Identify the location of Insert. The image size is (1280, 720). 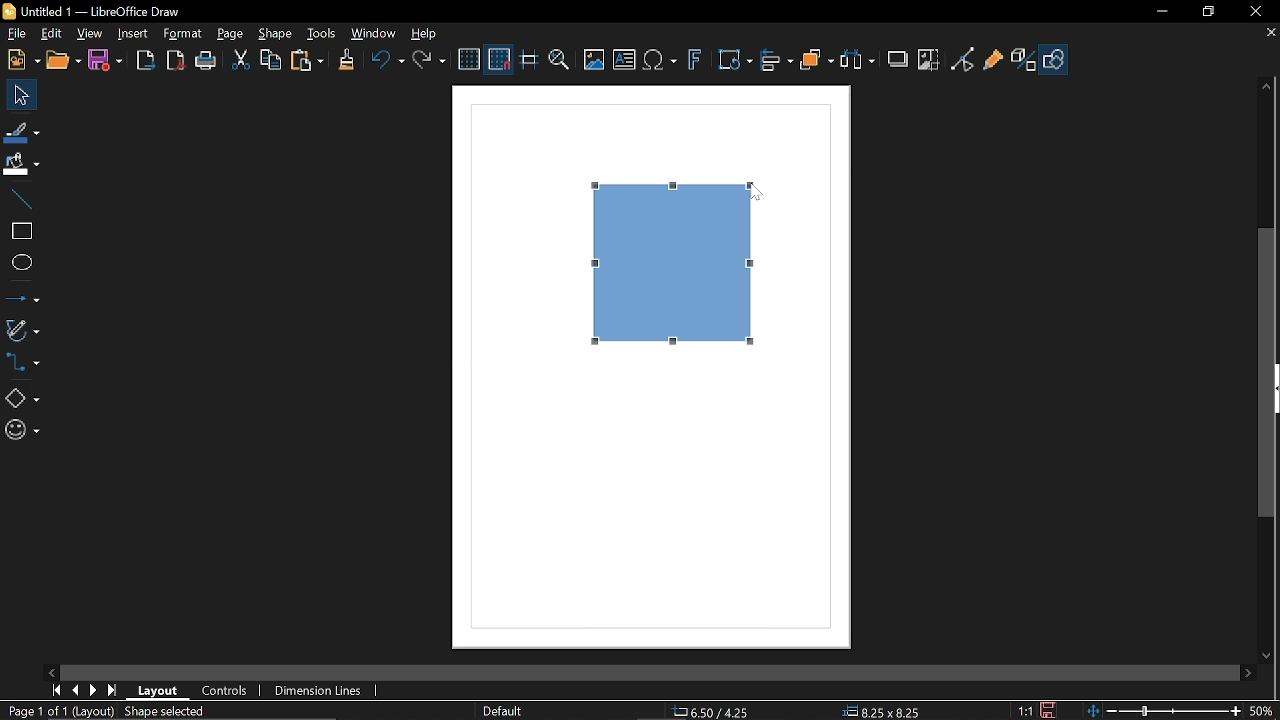
(131, 34).